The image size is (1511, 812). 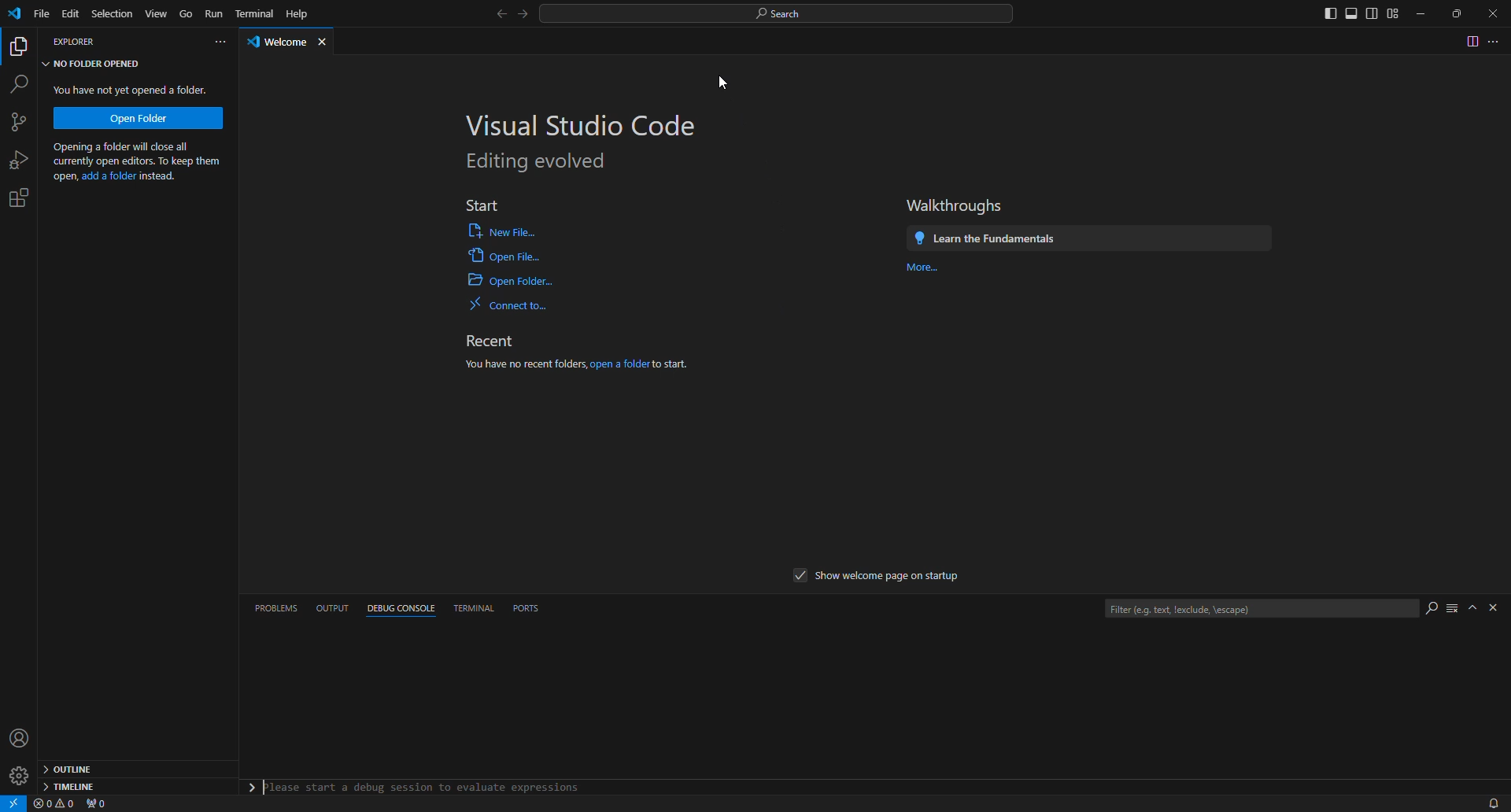 I want to click on New project, so click(x=23, y=121).